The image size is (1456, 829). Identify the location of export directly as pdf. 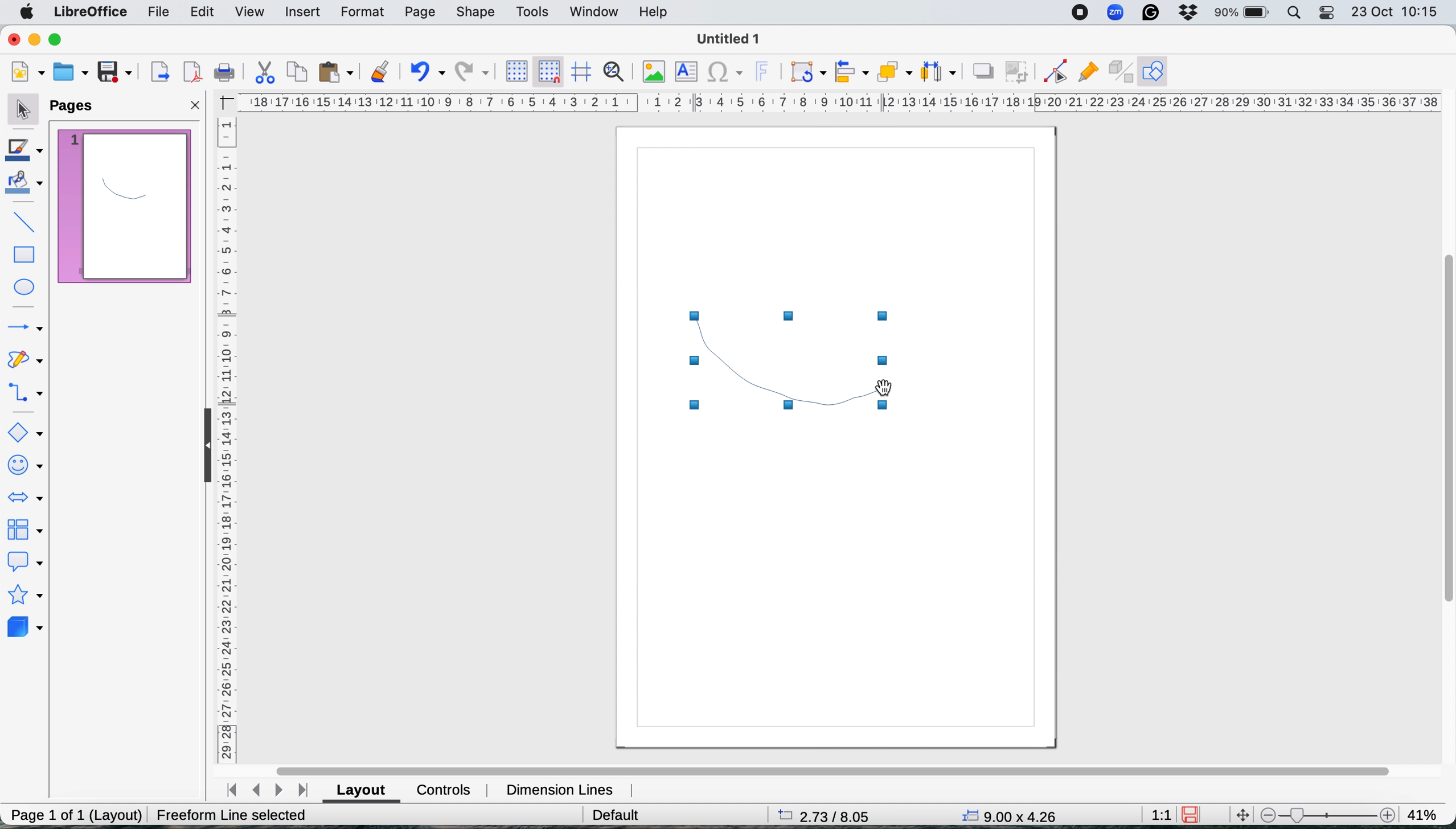
(192, 71).